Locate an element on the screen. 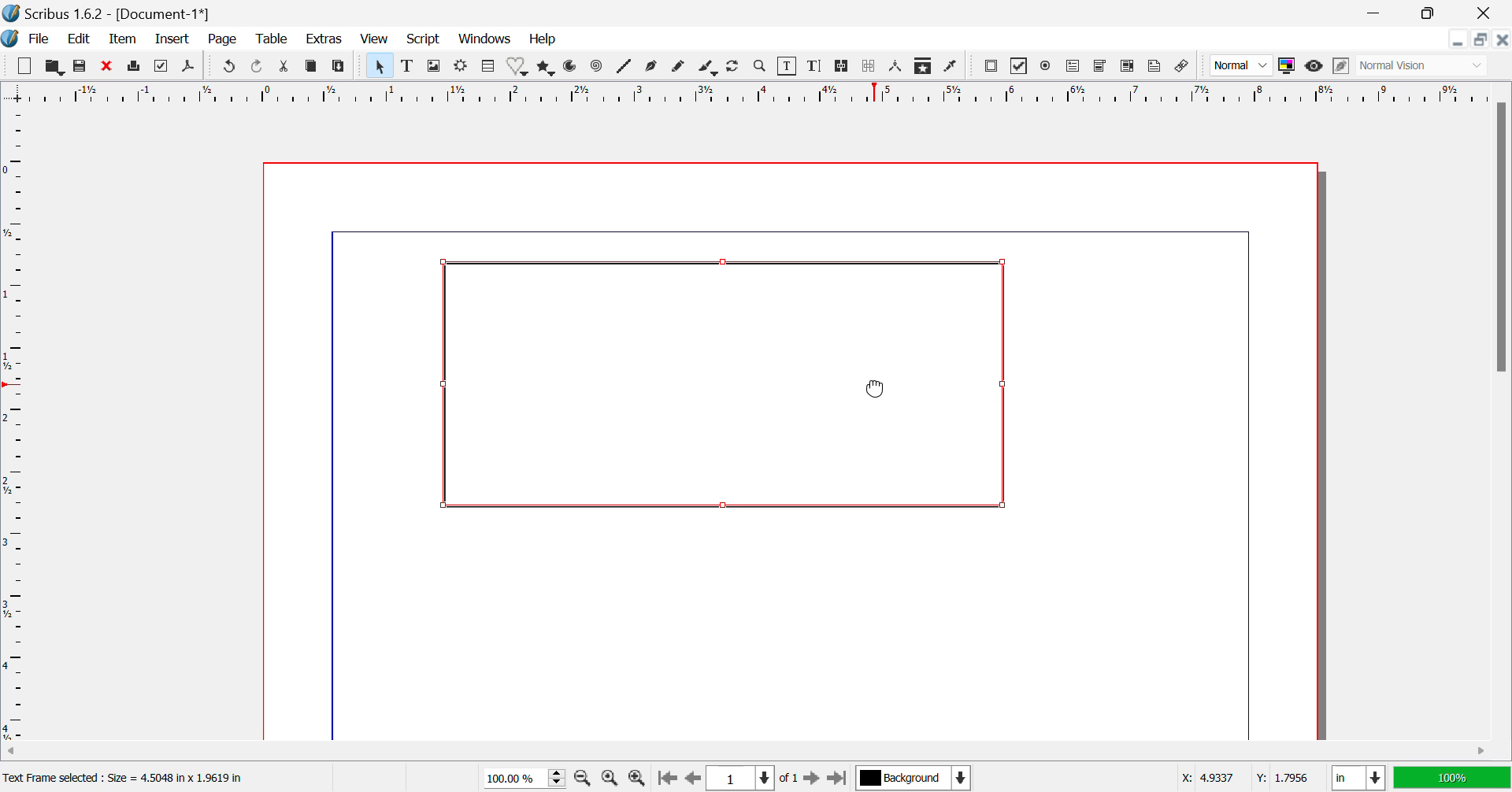 Image resolution: width=1512 pixels, height=792 pixels. Save as Pdf is located at coordinates (192, 67).